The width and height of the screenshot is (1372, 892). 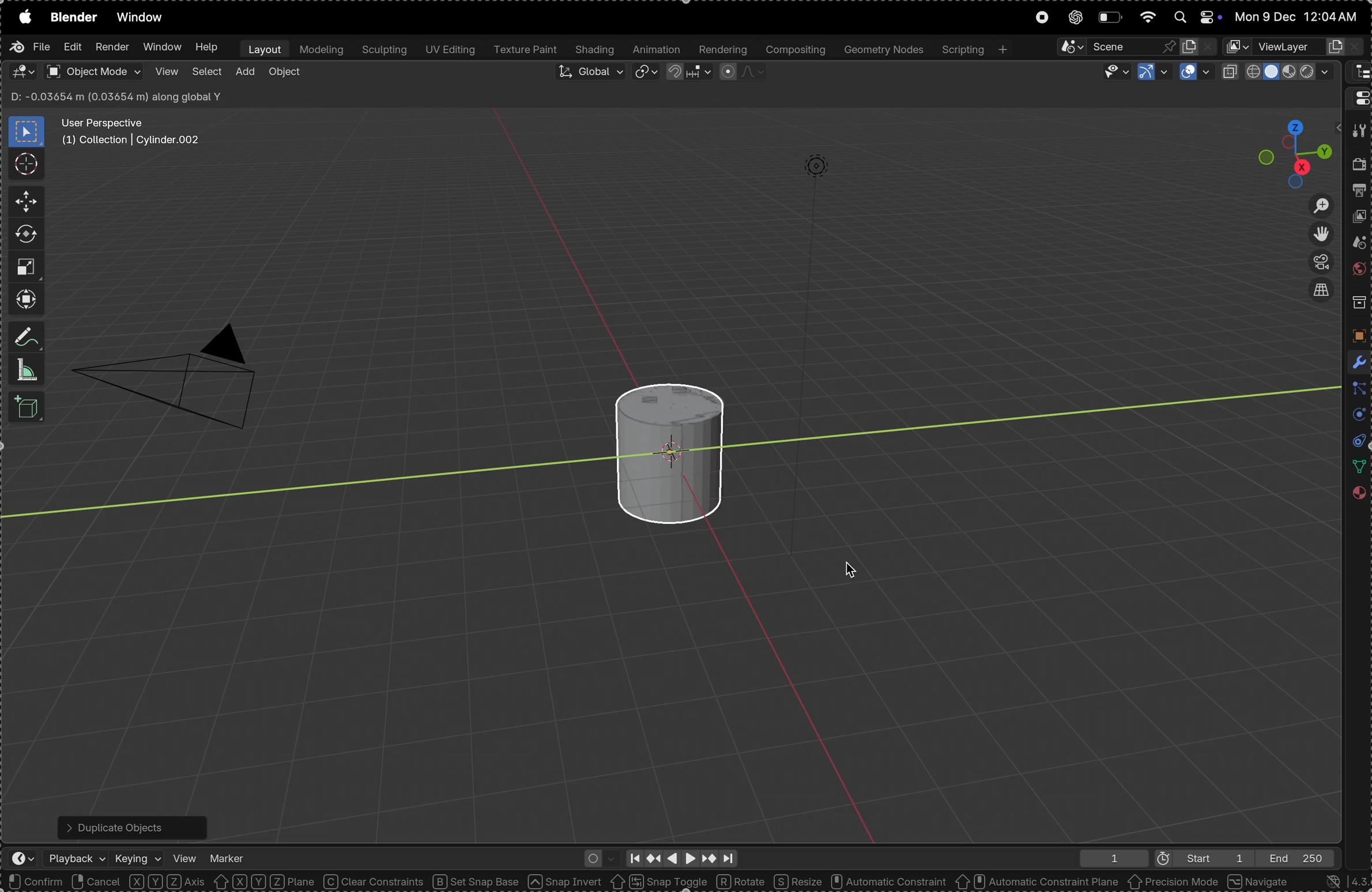 I want to click on options, so click(x=1302, y=98).